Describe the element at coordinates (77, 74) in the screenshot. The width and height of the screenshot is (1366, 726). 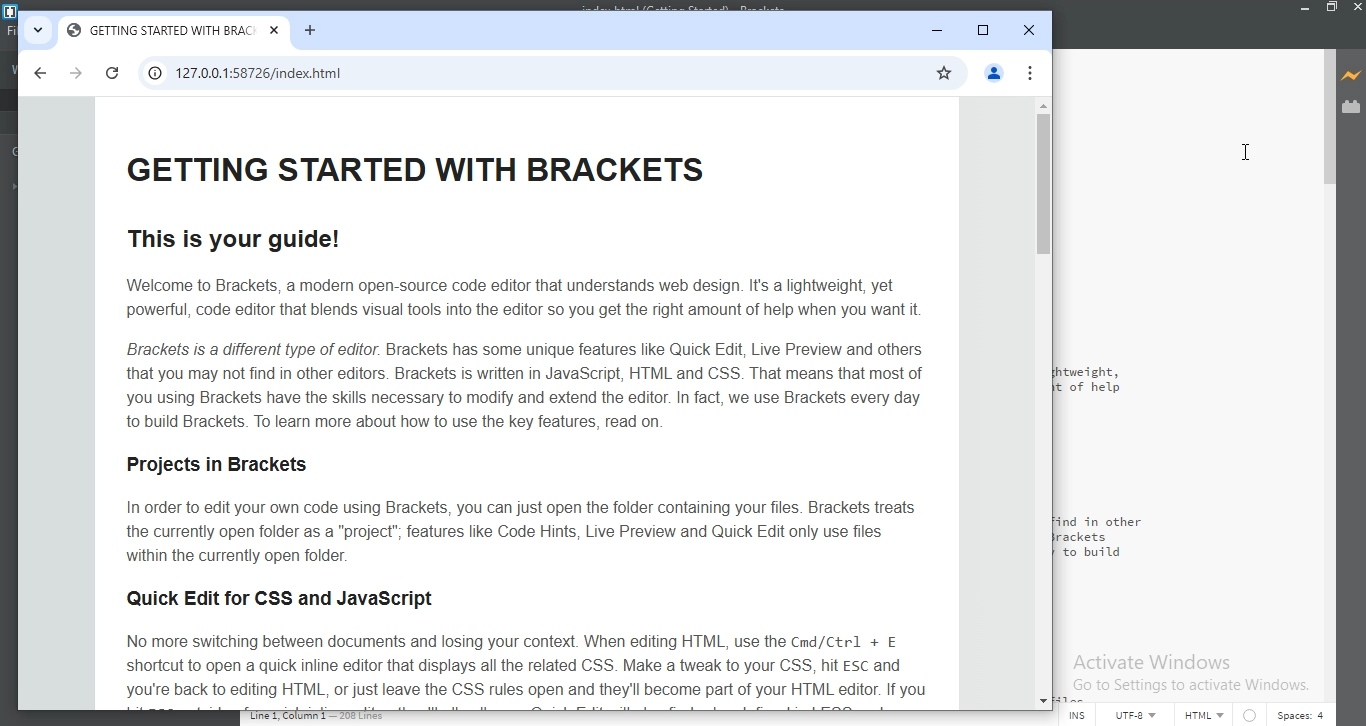
I see `next page` at that location.